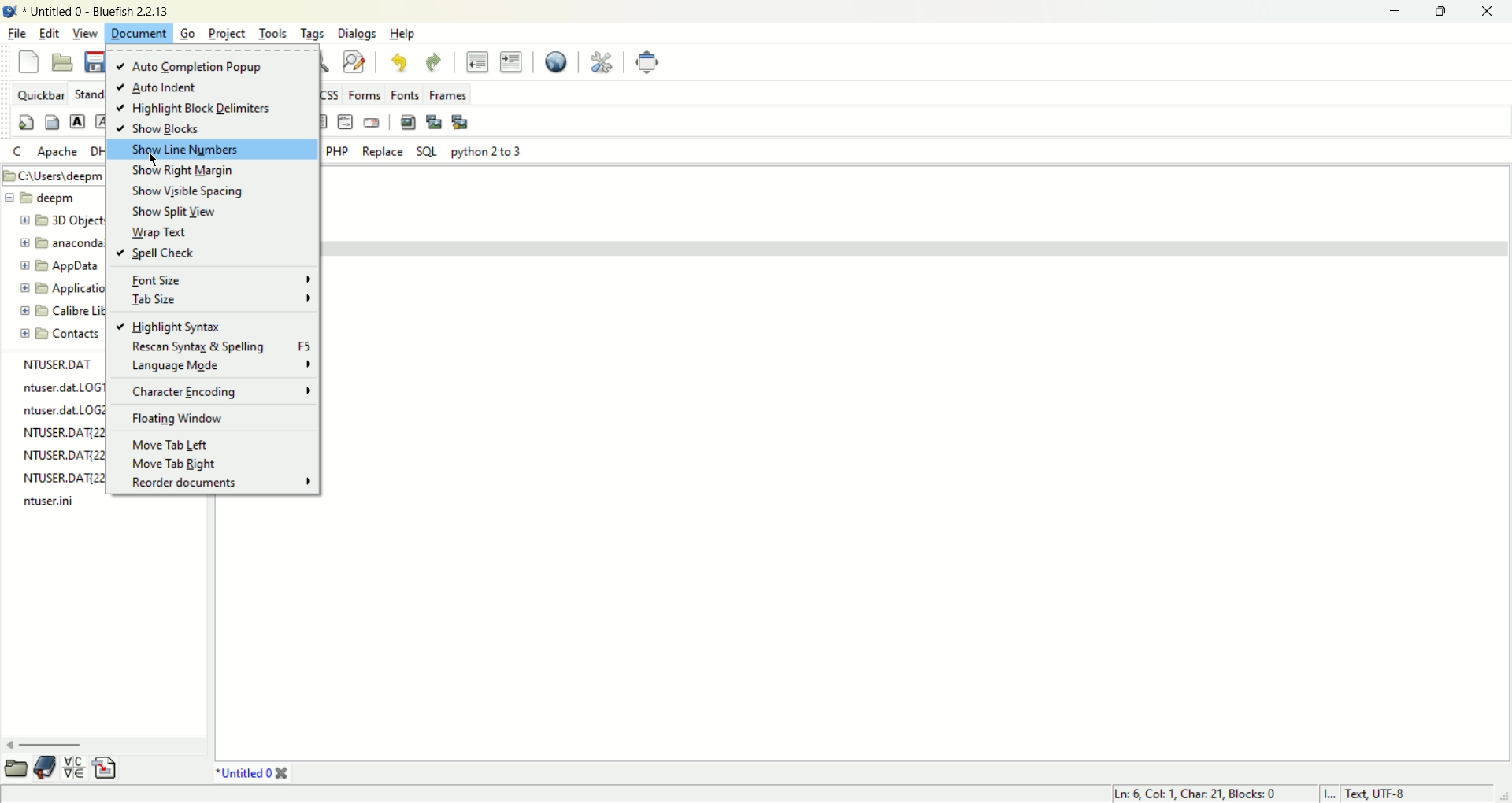 Image resolution: width=1512 pixels, height=803 pixels. What do you see at coordinates (156, 88) in the screenshot?
I see `auto indent` at bounding box center [156, 88].